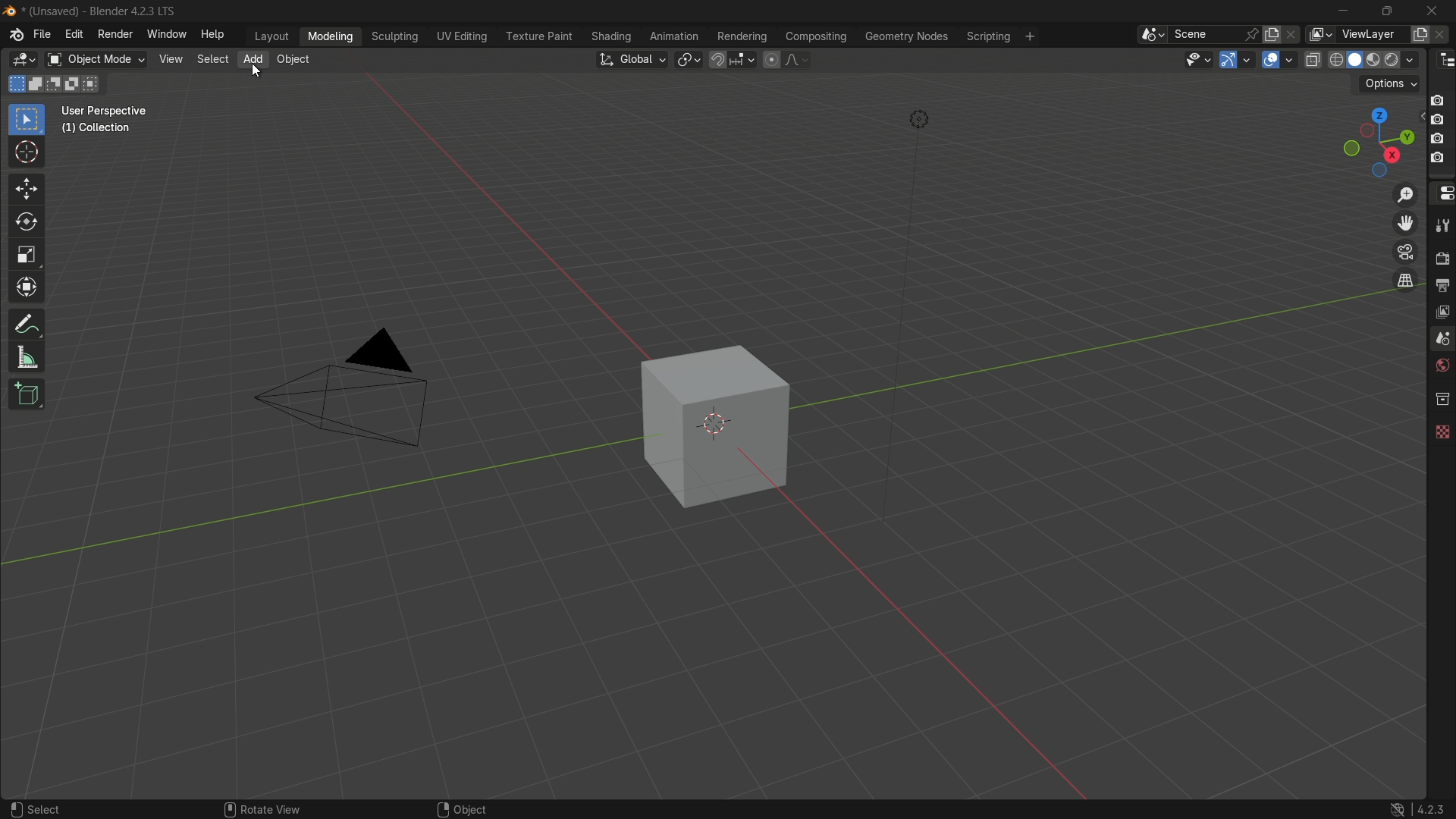  Describe the element at coordinates (1443, 312) in the screenshot. I see `view layer` at that location.